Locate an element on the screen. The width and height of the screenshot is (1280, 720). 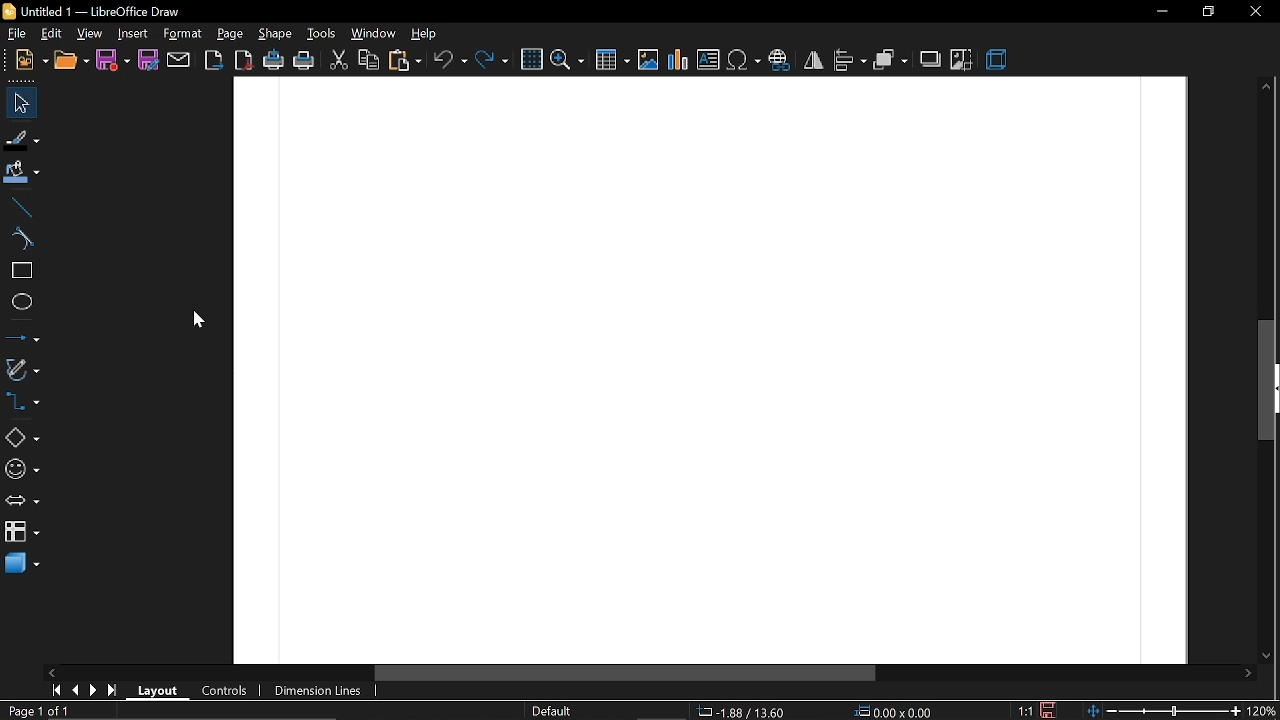
vertical scrollbar is located at coordinates (1267, 380).